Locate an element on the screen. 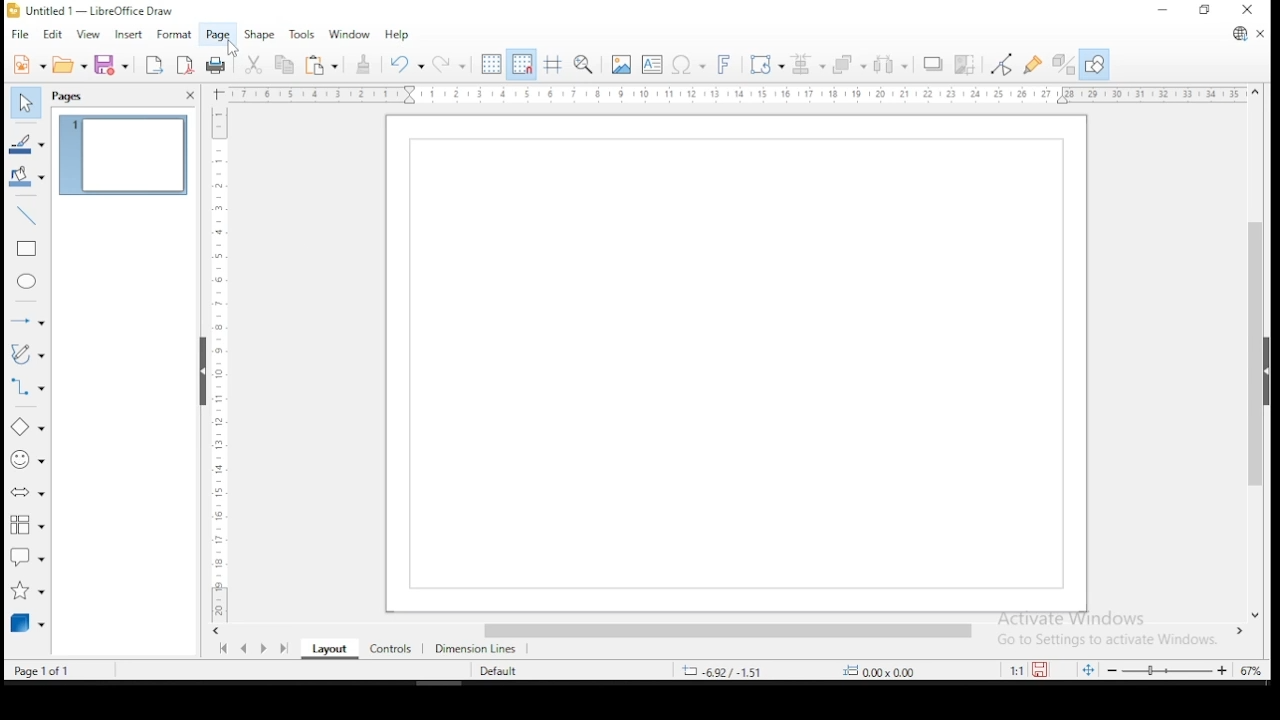 This screenshot has width=1280, height=720. redo is located at coordinates (449, 64).